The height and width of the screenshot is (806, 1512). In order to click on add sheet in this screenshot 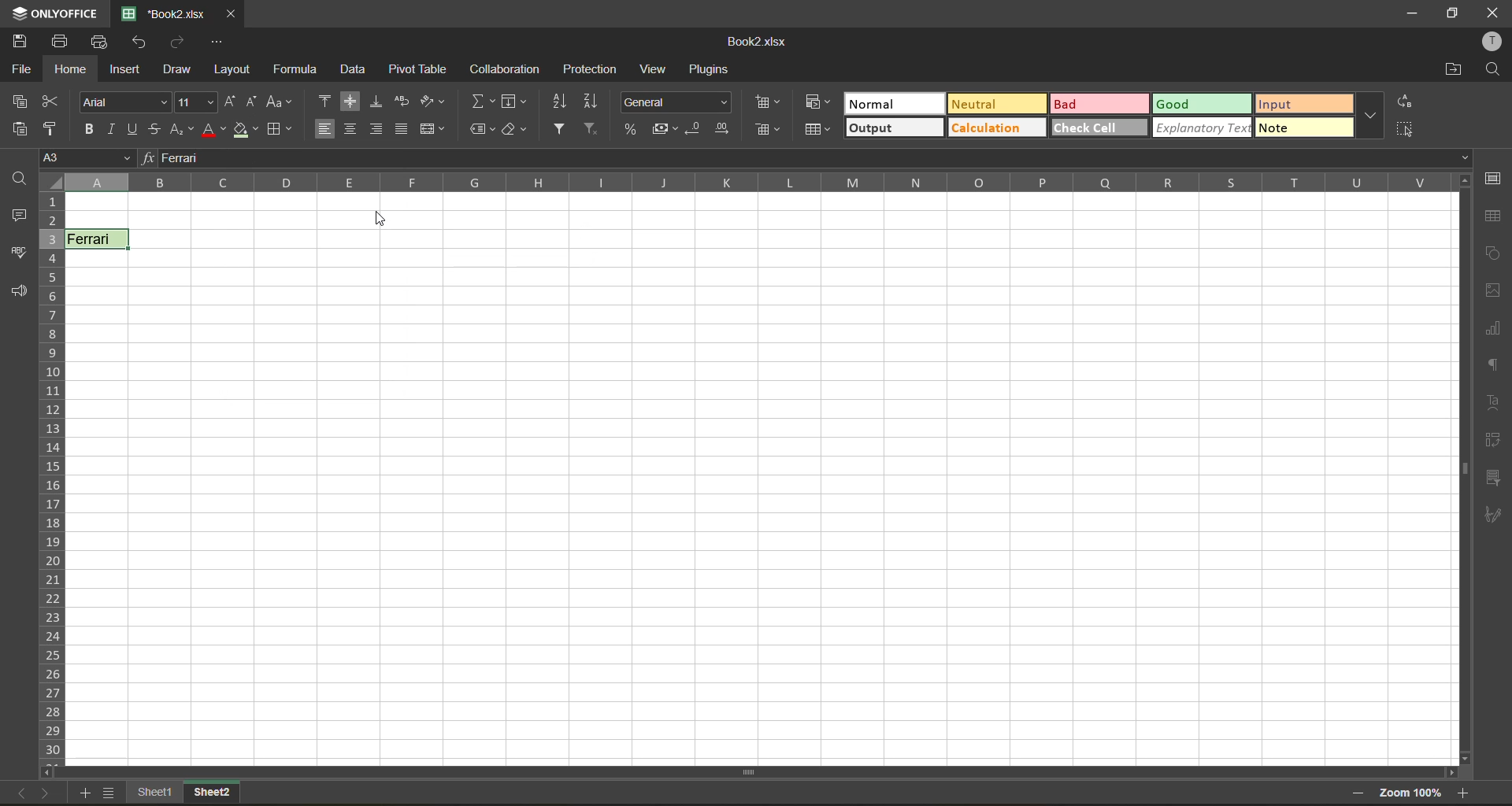, I will do `click(76, 793)`.